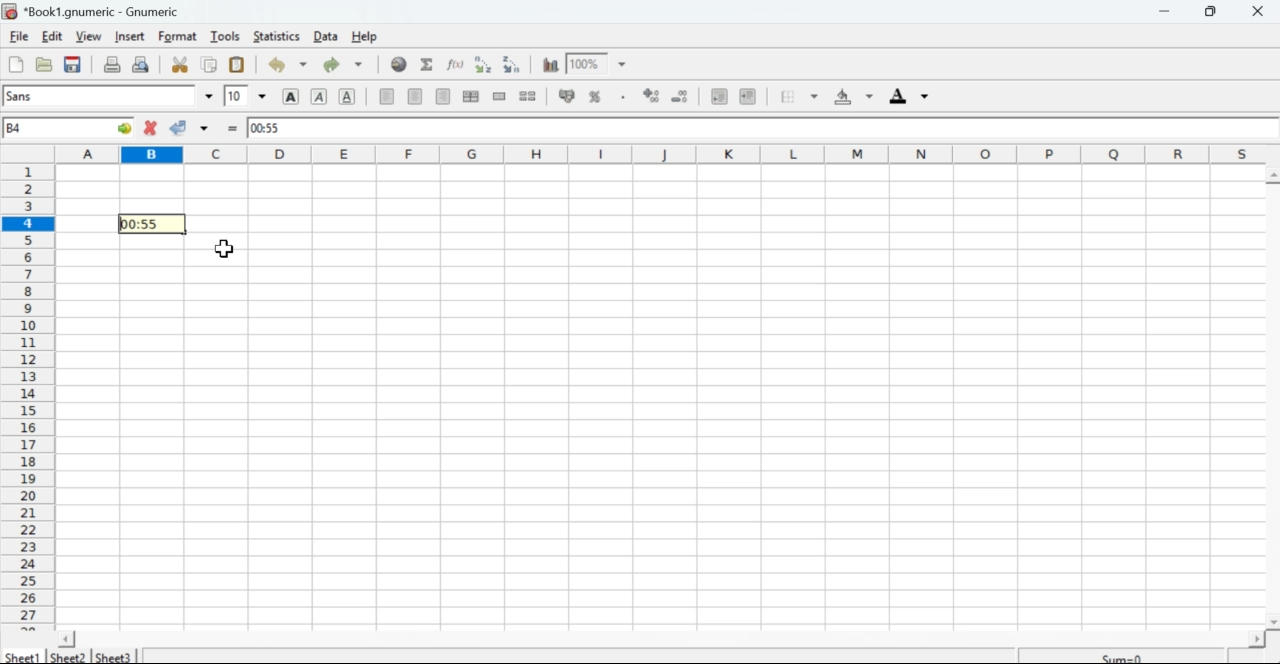  Describe the element at coordinates (760, 127) in the screenshot. I see `Active cell contents` at that location.